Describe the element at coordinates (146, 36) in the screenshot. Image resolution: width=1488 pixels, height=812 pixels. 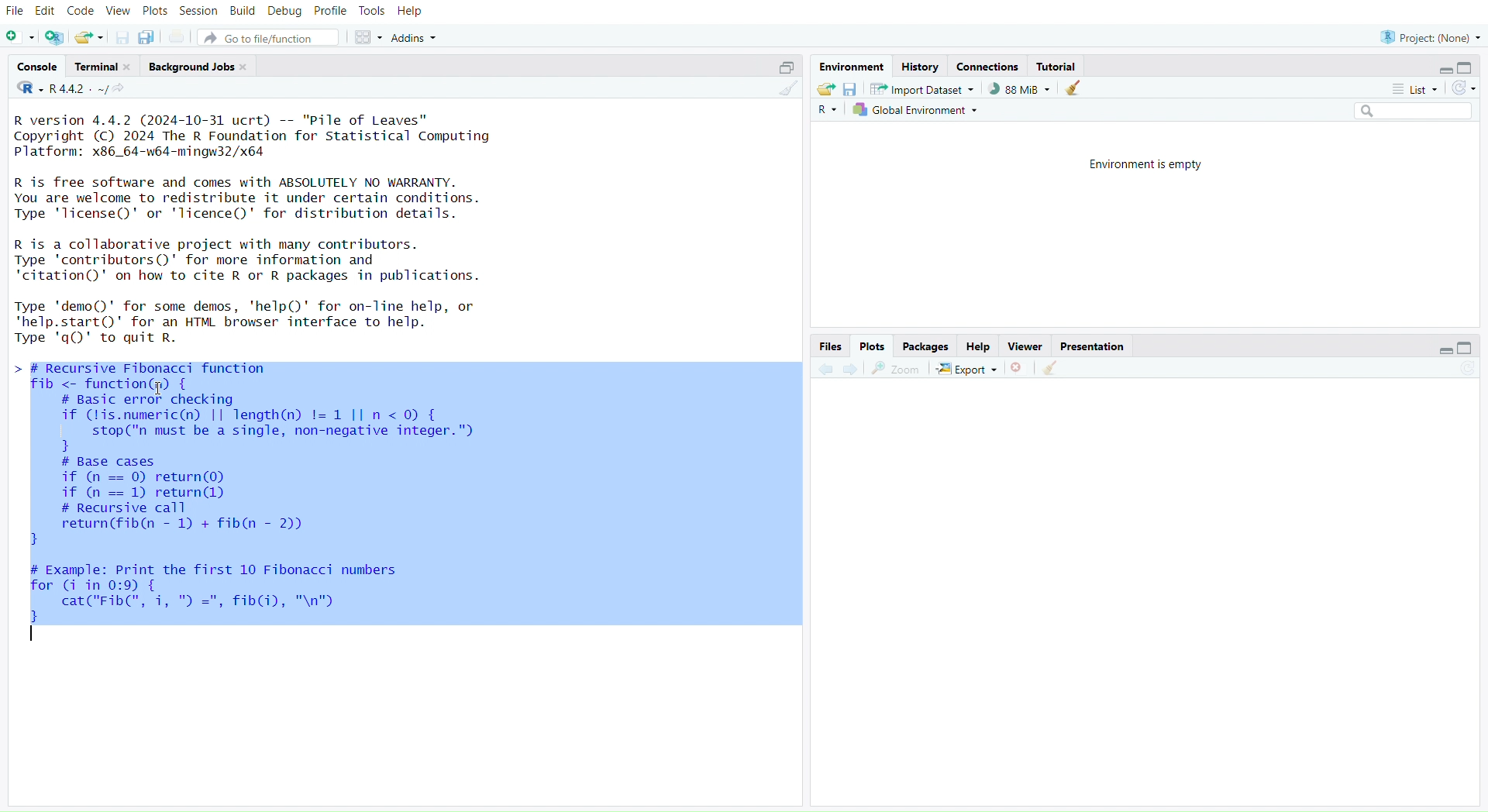
I see `save all open documents` at that location.